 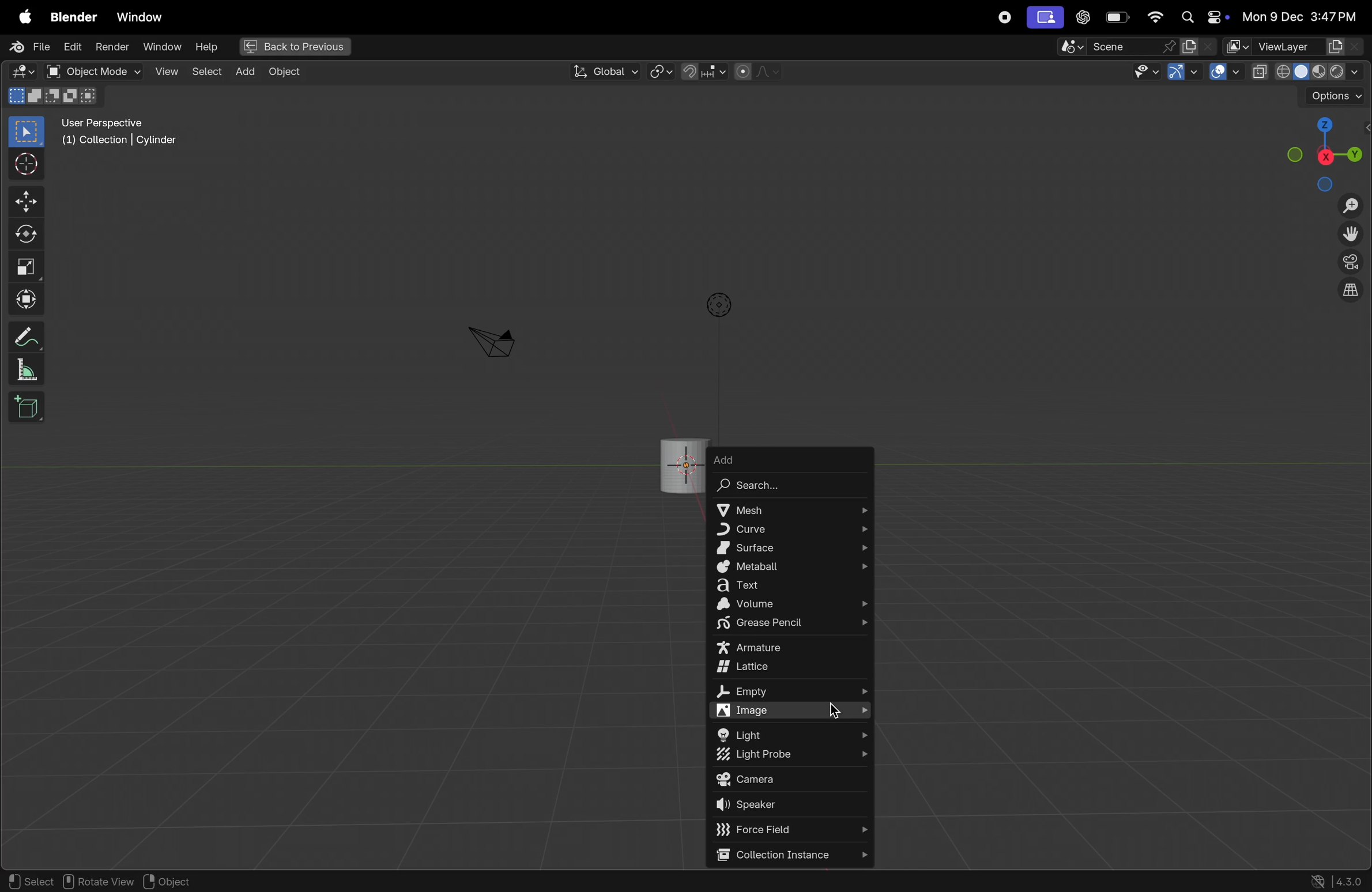 What do you see at coordinates (140, 14) in the screenshot?
I see `Windows` at bounding box center [140, 14].